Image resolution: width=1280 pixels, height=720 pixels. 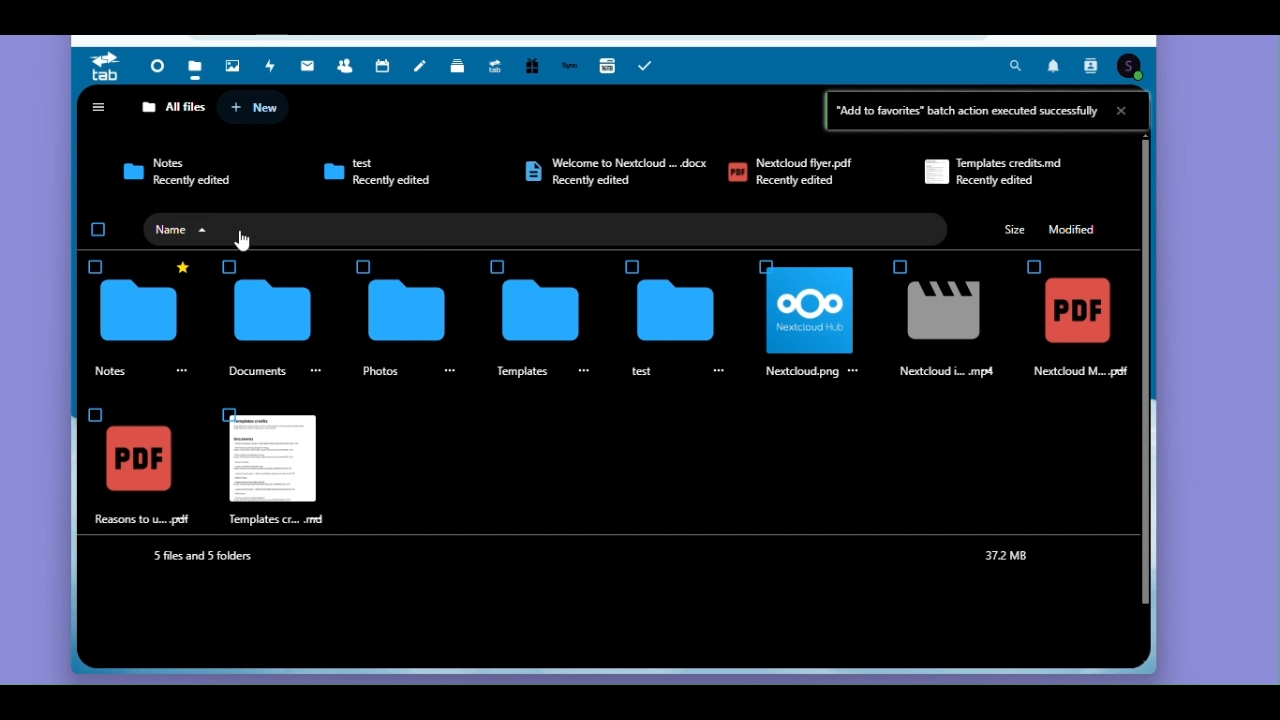 What do you see at coordinates (1086, 372) in the screenshot?
I see `Nextcloud M... pdf |` at bounding box center [1086, 372].